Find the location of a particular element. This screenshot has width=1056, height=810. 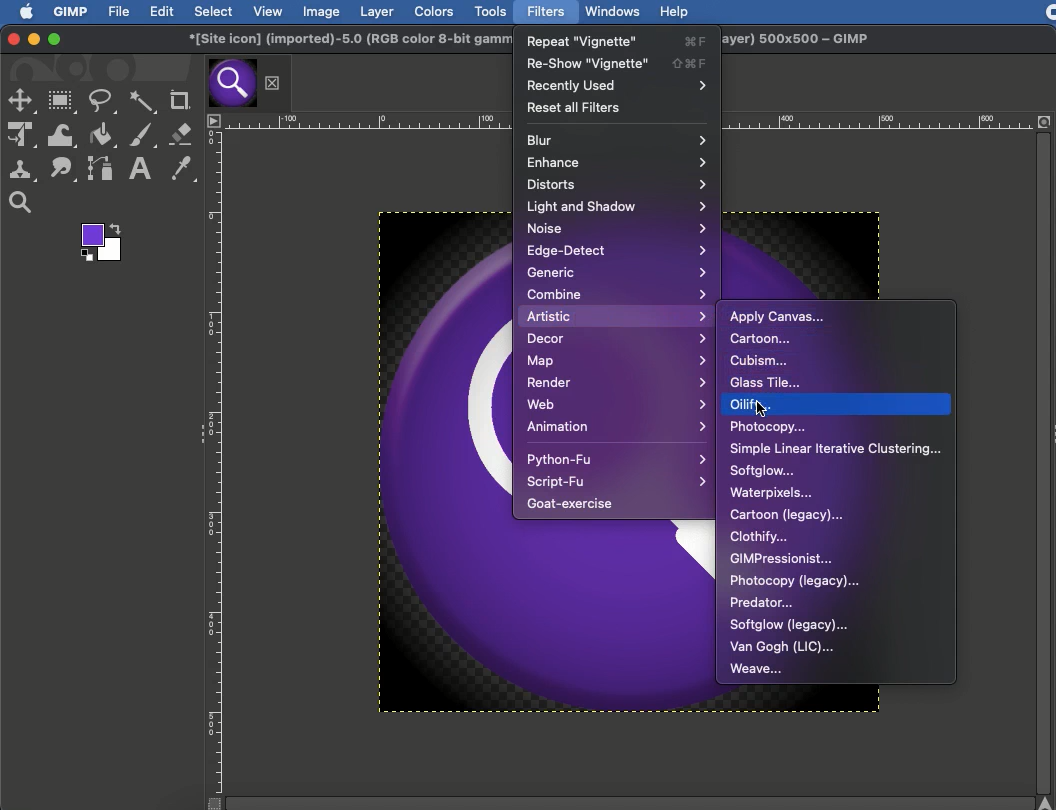

Decor is located at coordinates (616, 340).